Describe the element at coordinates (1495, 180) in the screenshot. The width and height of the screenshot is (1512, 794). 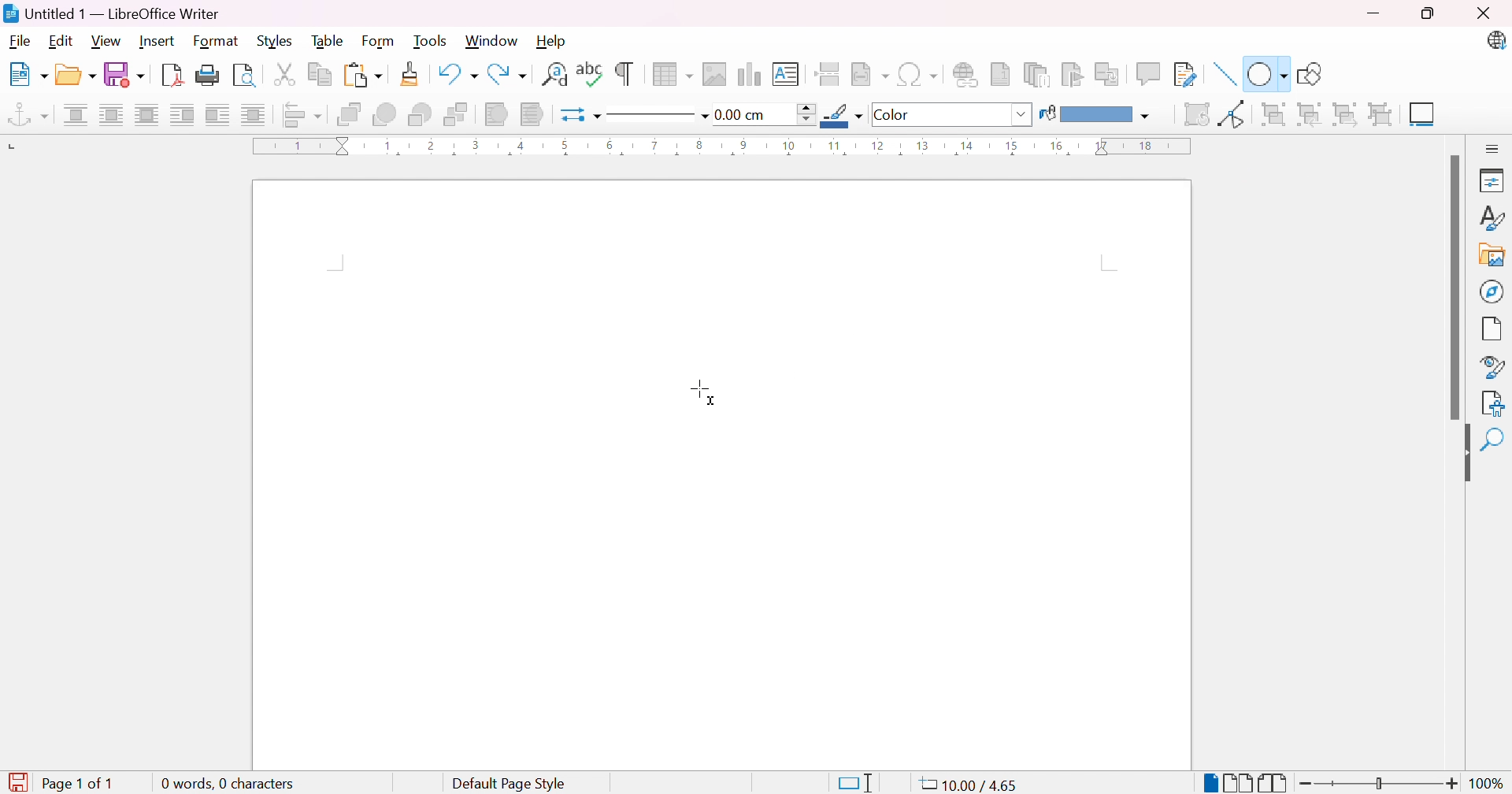
I see `Properties` at that location.